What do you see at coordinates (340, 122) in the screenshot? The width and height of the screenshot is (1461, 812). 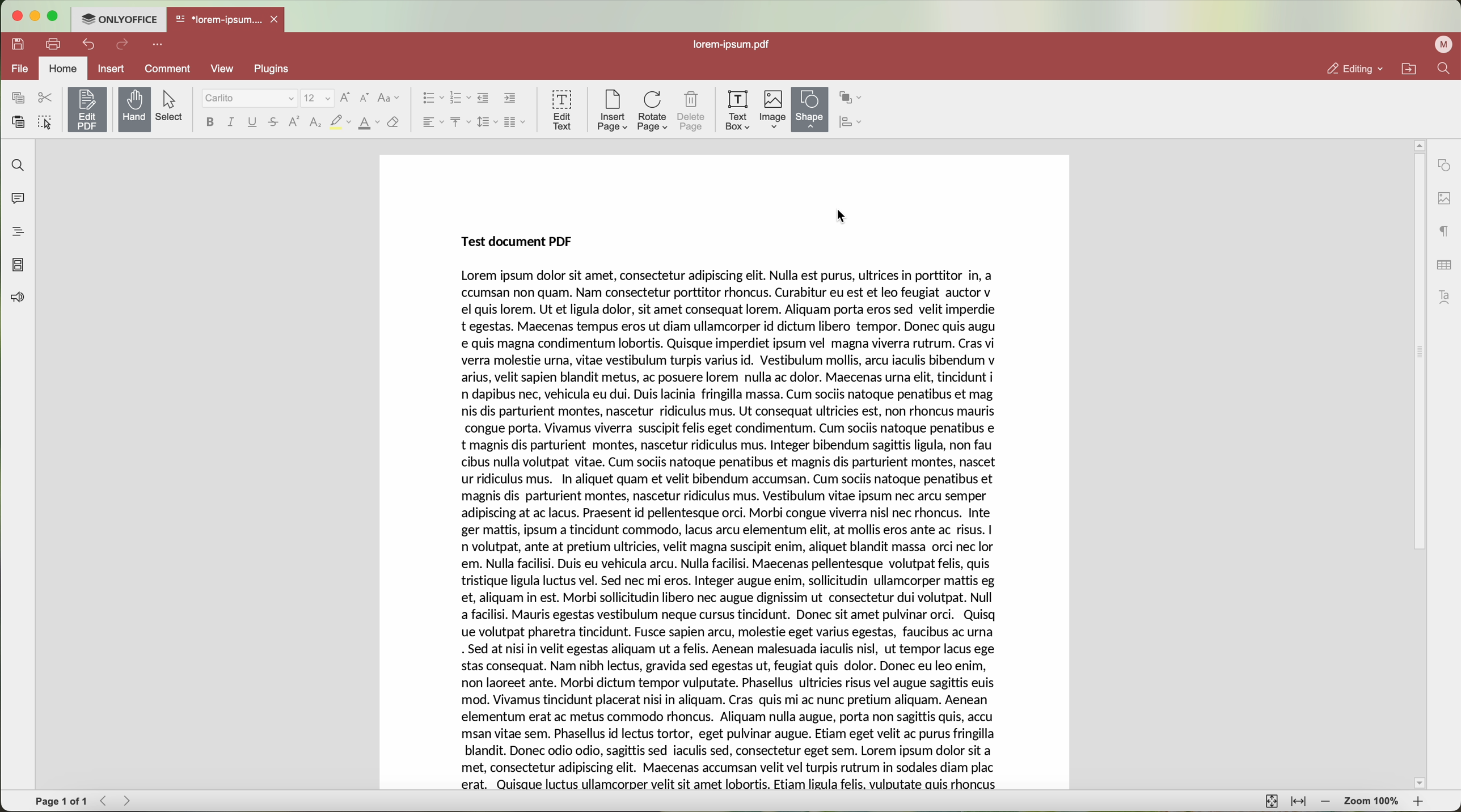 I see `strikeout` at bounding box center [340, 122].